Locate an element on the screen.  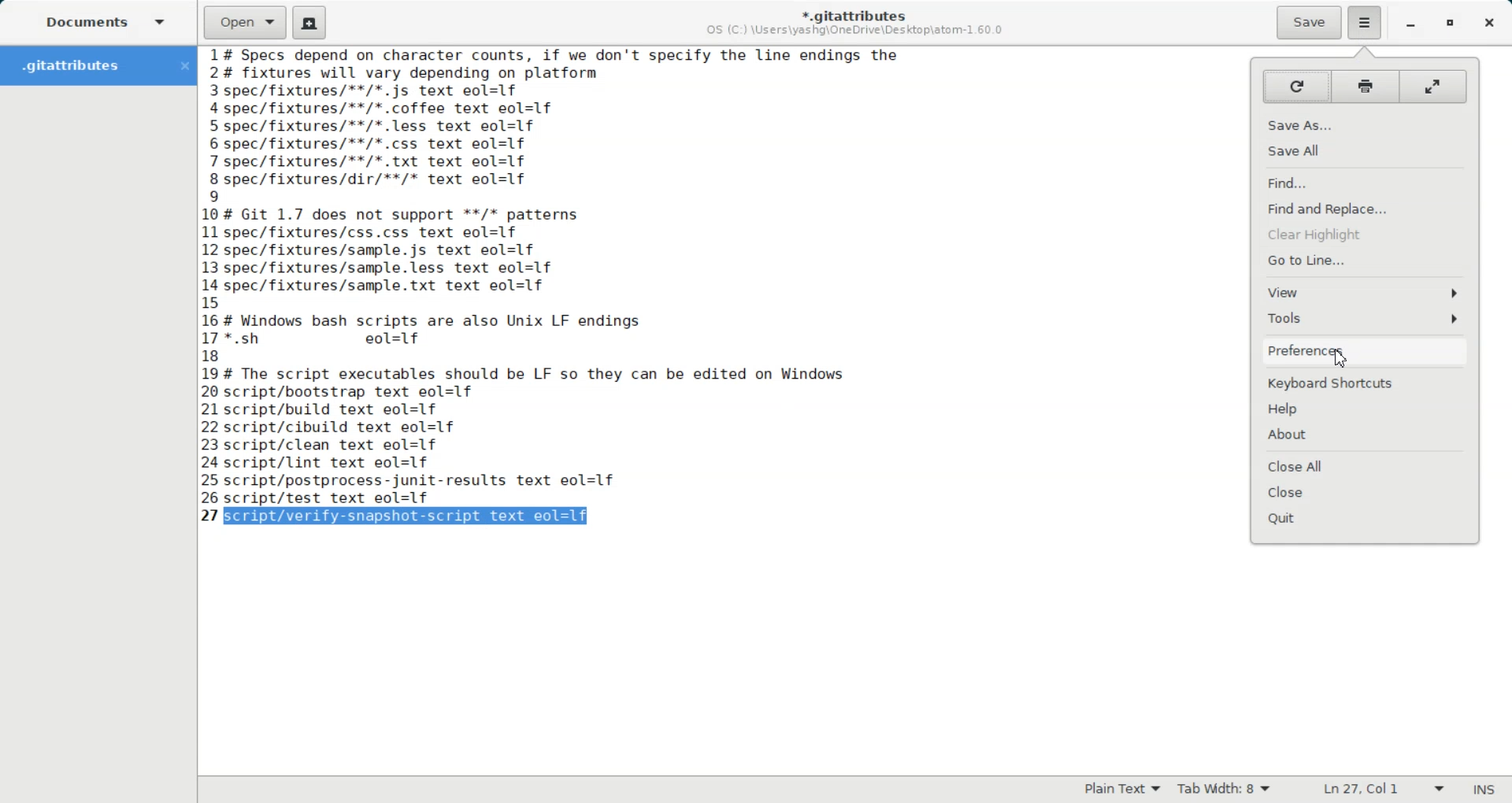
Find and Replace is located at coordinates (1366, 208).